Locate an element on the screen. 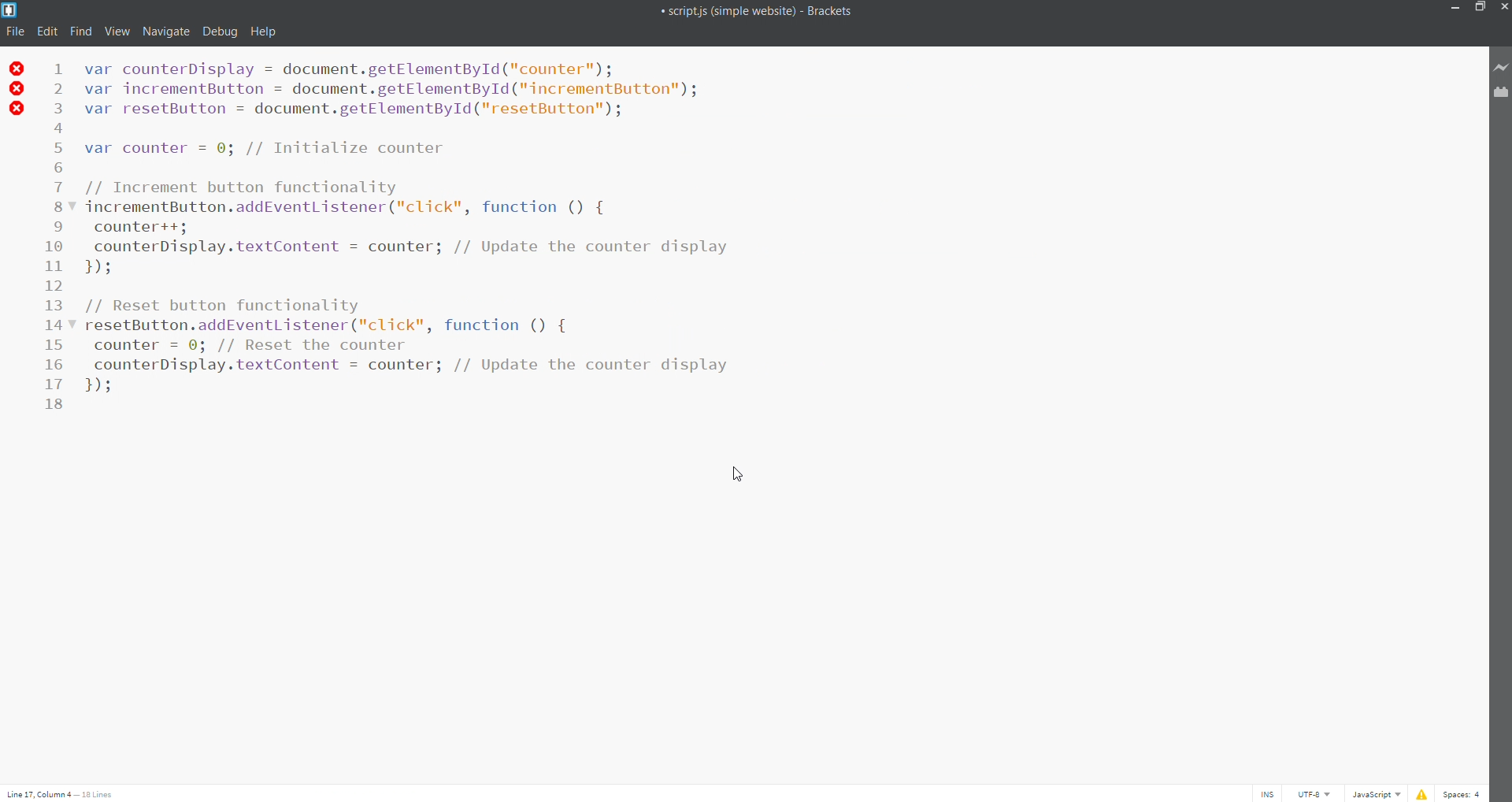 This screenshot has height=802, width=1512. cursor is located at coordinates (737, 477).